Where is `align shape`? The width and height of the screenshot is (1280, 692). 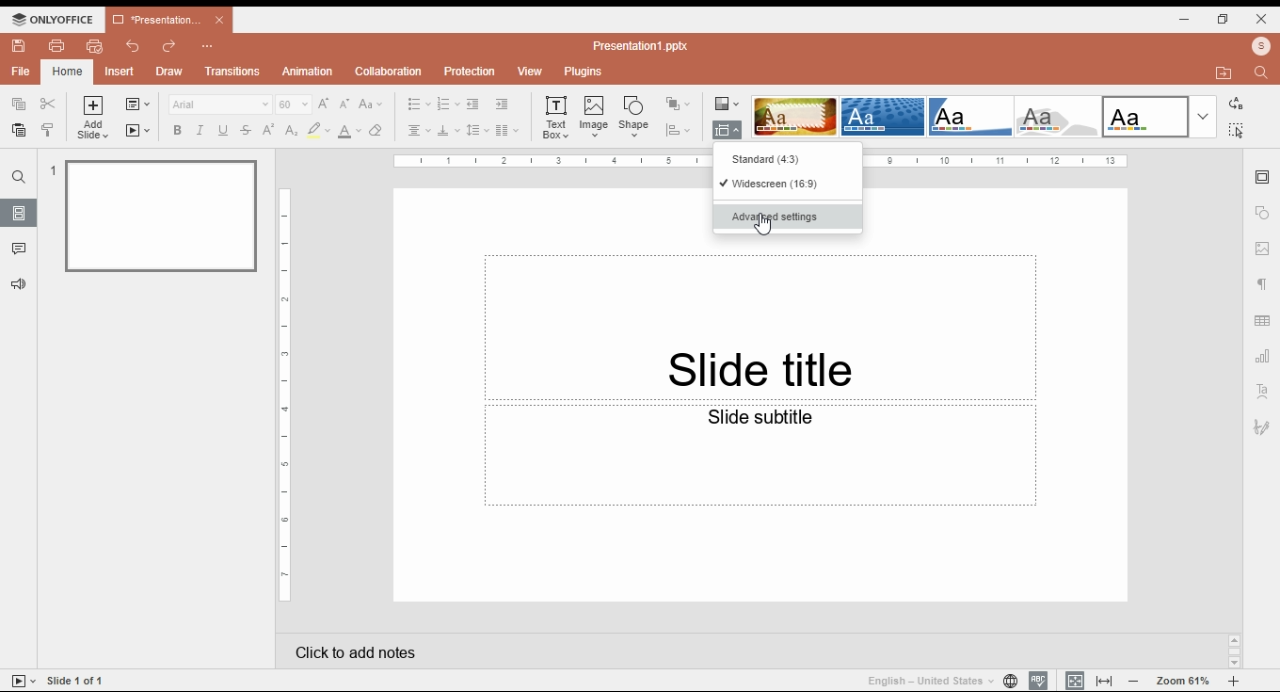
align shape is located at coordinates (680, 130).